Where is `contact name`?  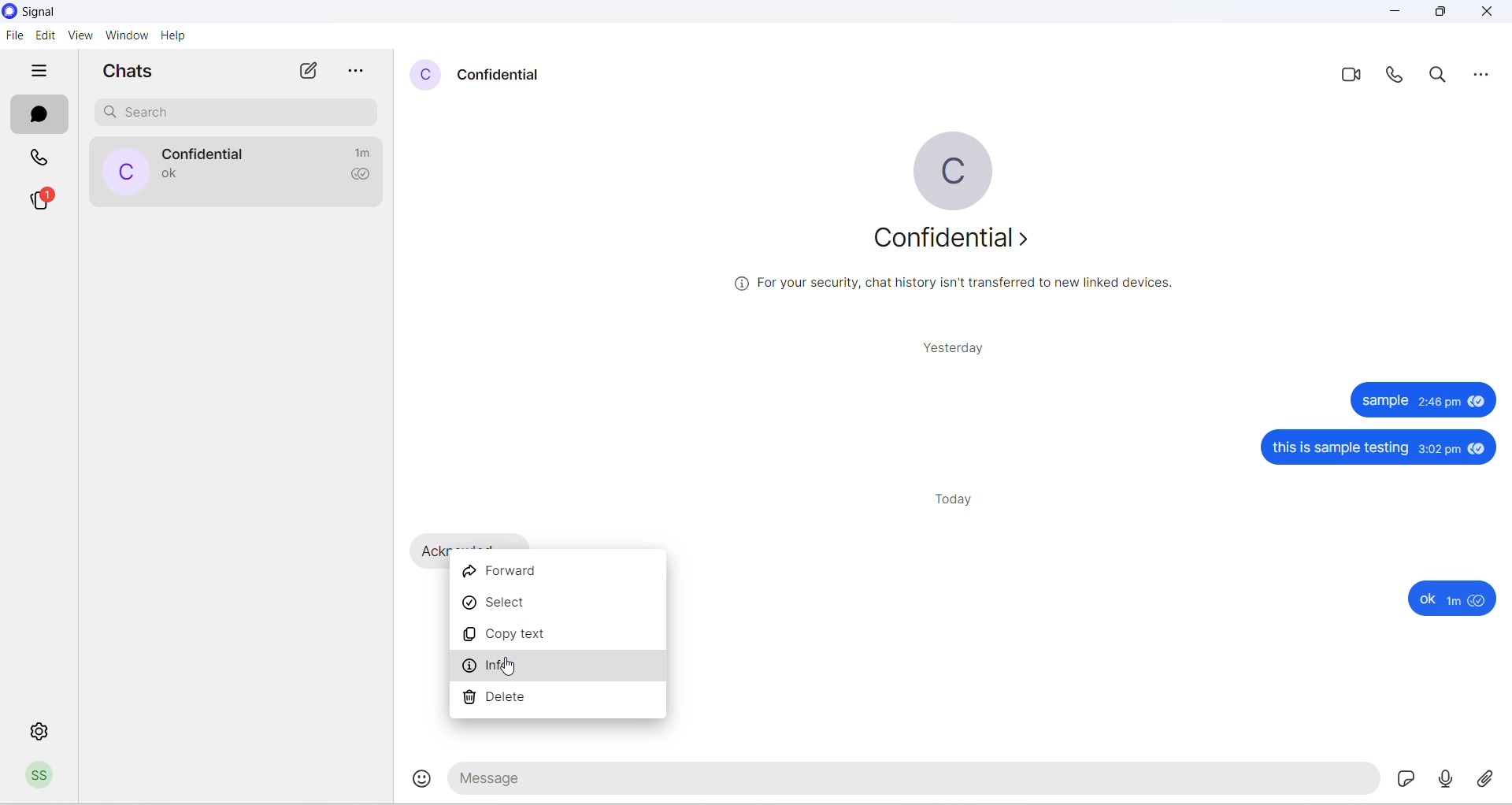 contact name is located at coordinates (207, 154).